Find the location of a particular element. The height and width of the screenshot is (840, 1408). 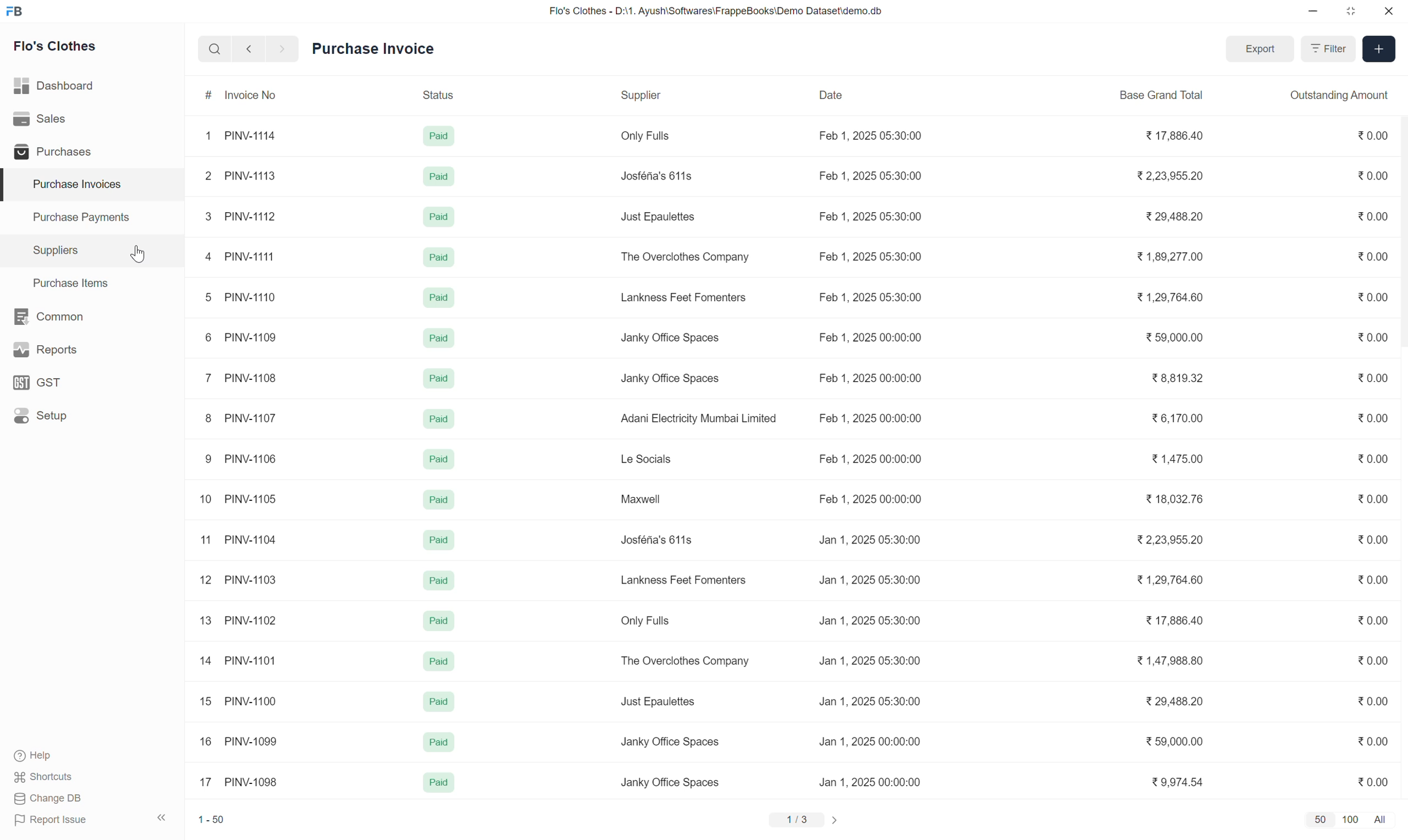

Le Socials is located at coordinates (646, 458).